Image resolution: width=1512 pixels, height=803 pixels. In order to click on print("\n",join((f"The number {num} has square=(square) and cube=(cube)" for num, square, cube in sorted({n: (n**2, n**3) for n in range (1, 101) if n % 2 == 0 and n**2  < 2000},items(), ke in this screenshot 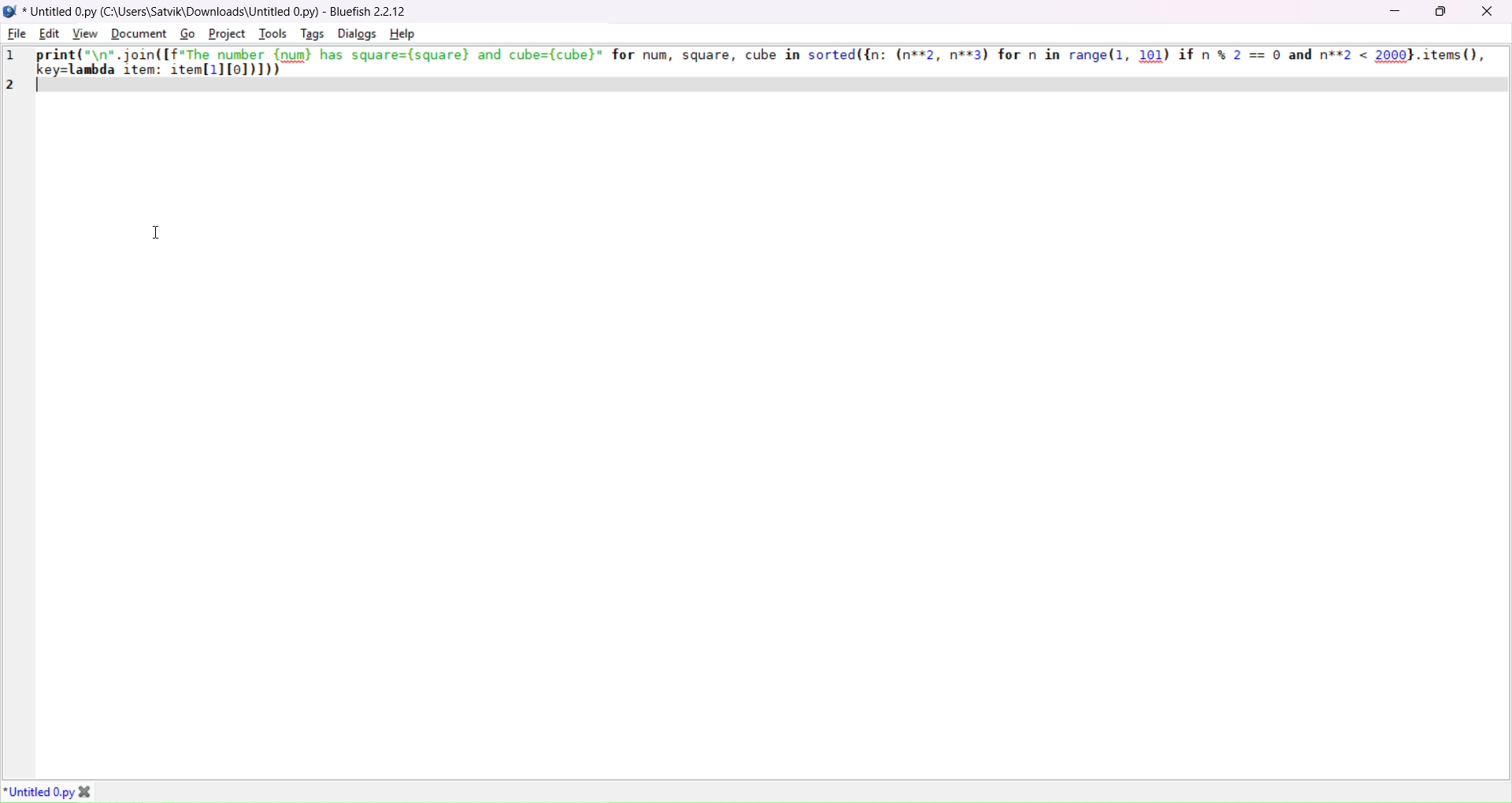, I will do `click(770, 61)`.